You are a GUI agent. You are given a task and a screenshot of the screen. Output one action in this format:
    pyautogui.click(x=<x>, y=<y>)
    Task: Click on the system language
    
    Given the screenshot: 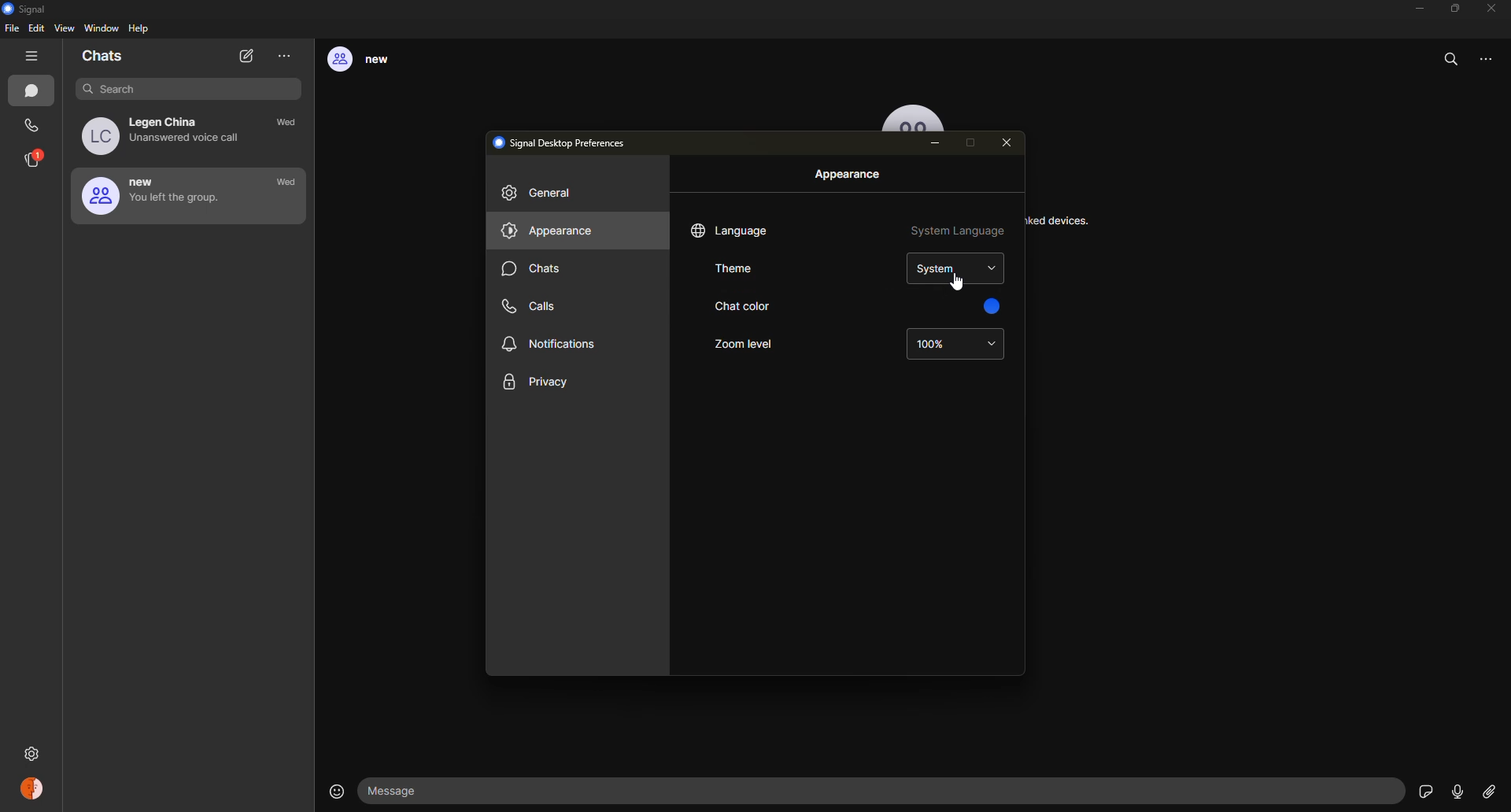 What is the action you would take?
    pyautogui.click(x=957, y=233)
    